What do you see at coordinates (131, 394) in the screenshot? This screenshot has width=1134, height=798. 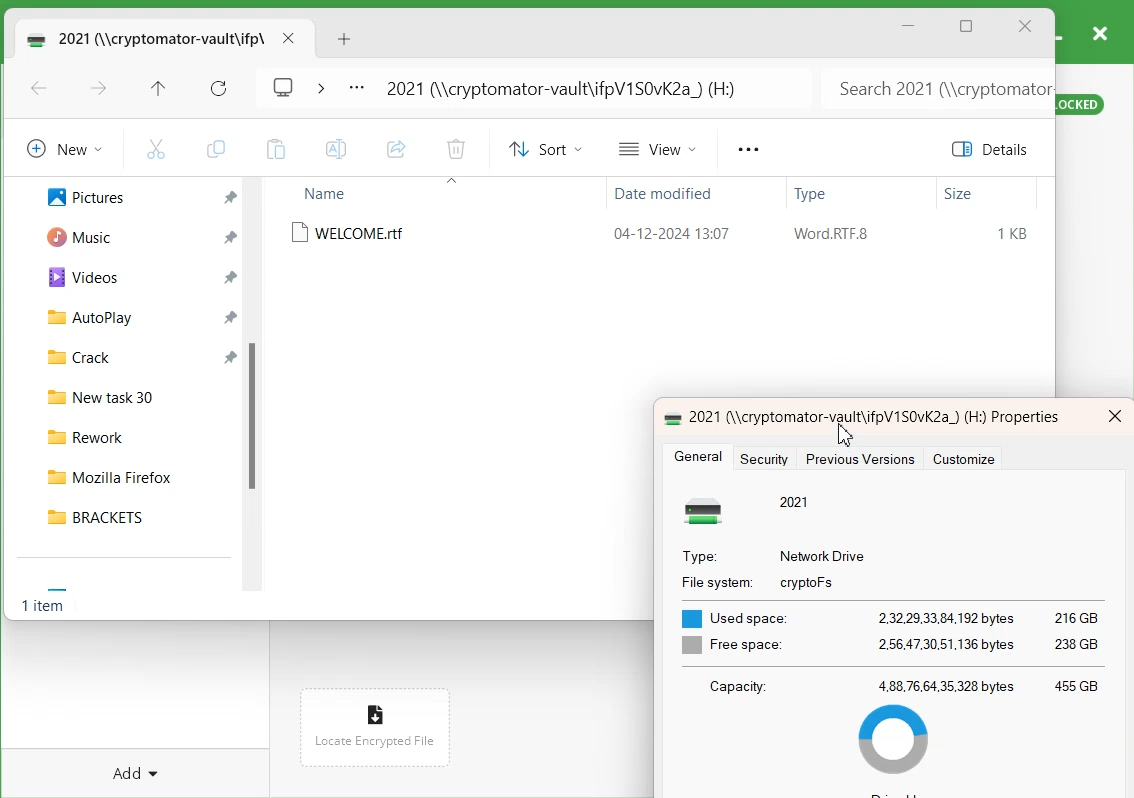 I see `New task 30` at bounding box center [131, 394].